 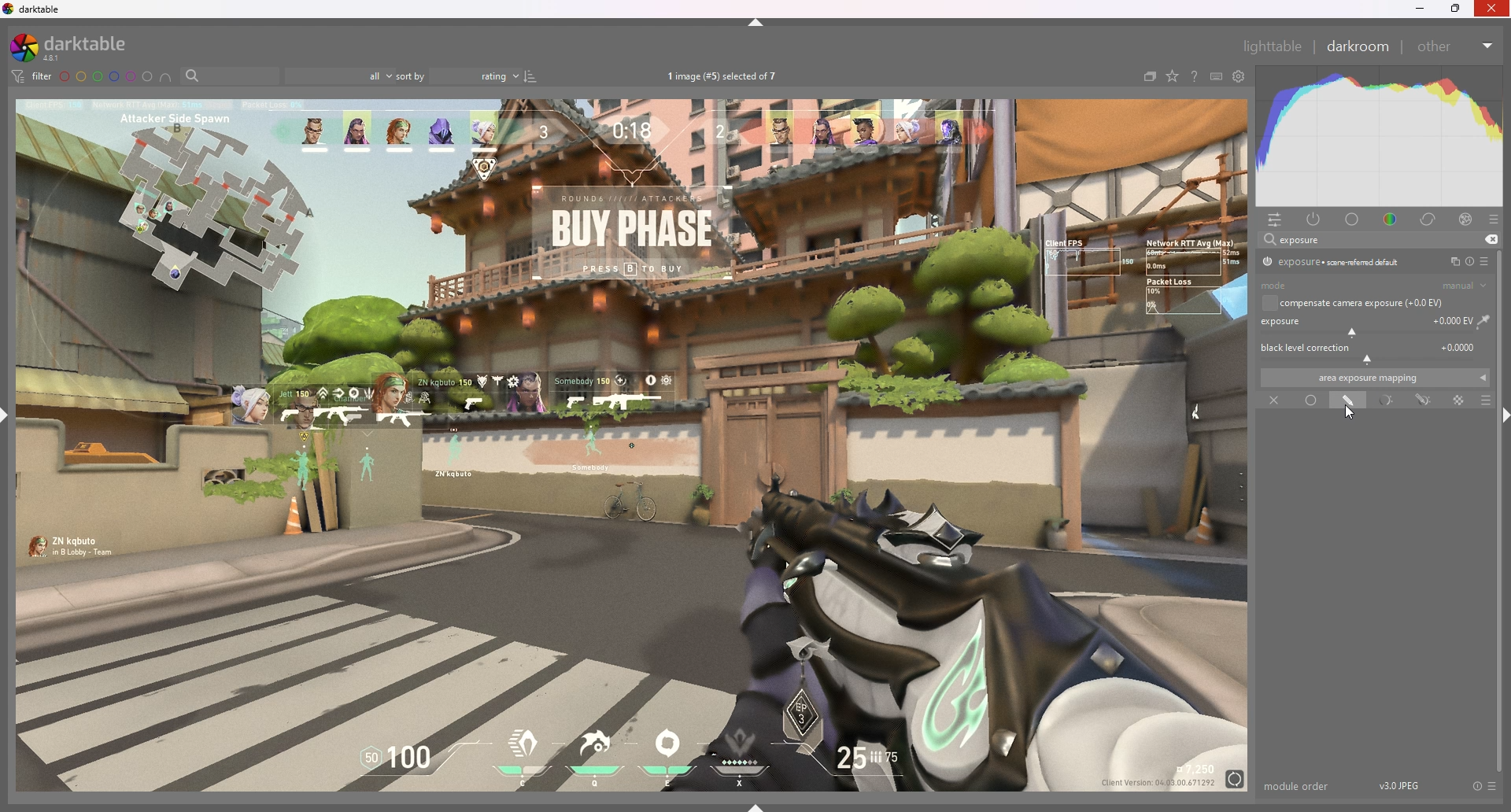 I want to click on help, so click(x=1192, y=76).